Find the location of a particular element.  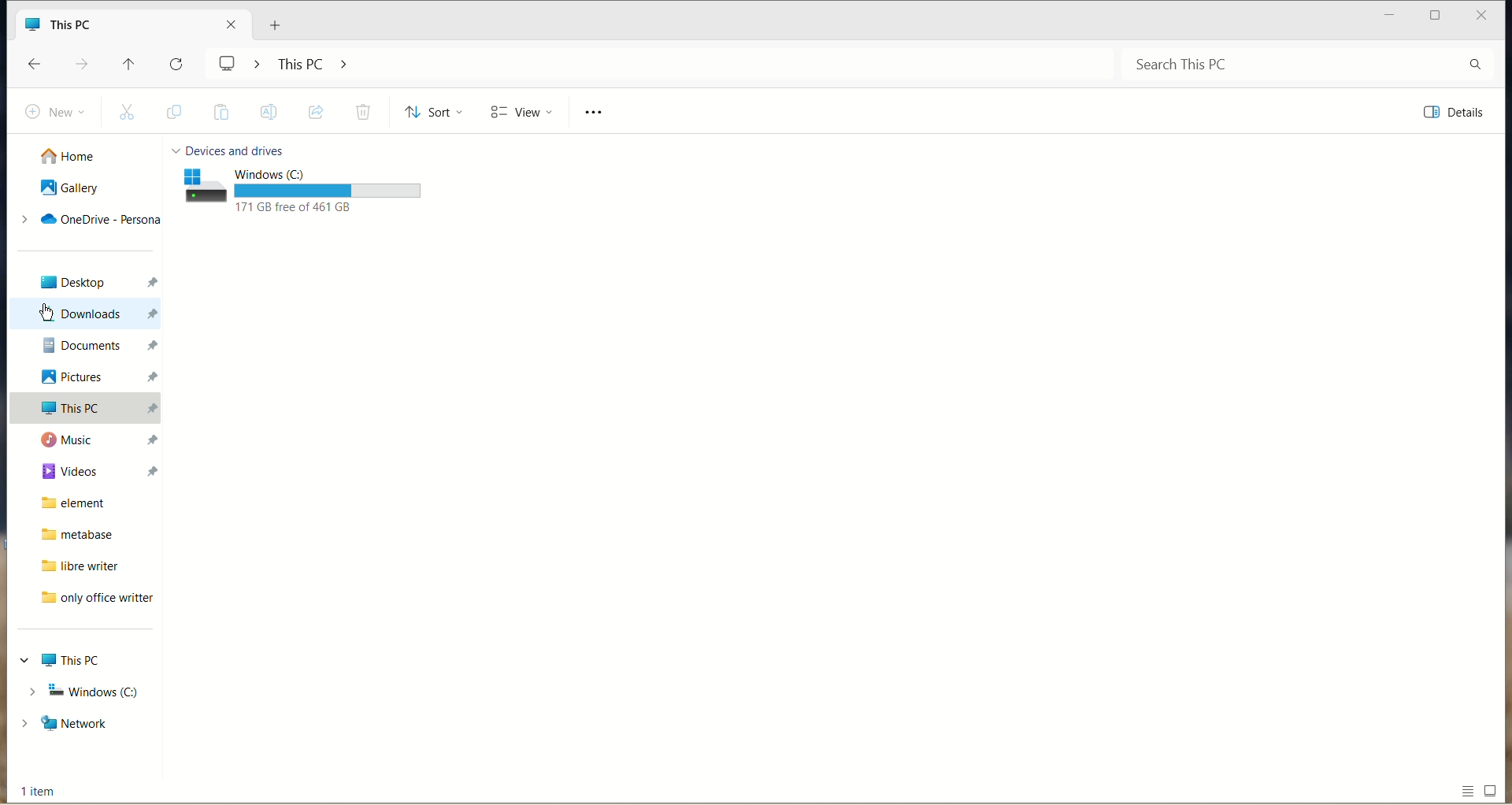

details is located at coordinates (1458, 112).